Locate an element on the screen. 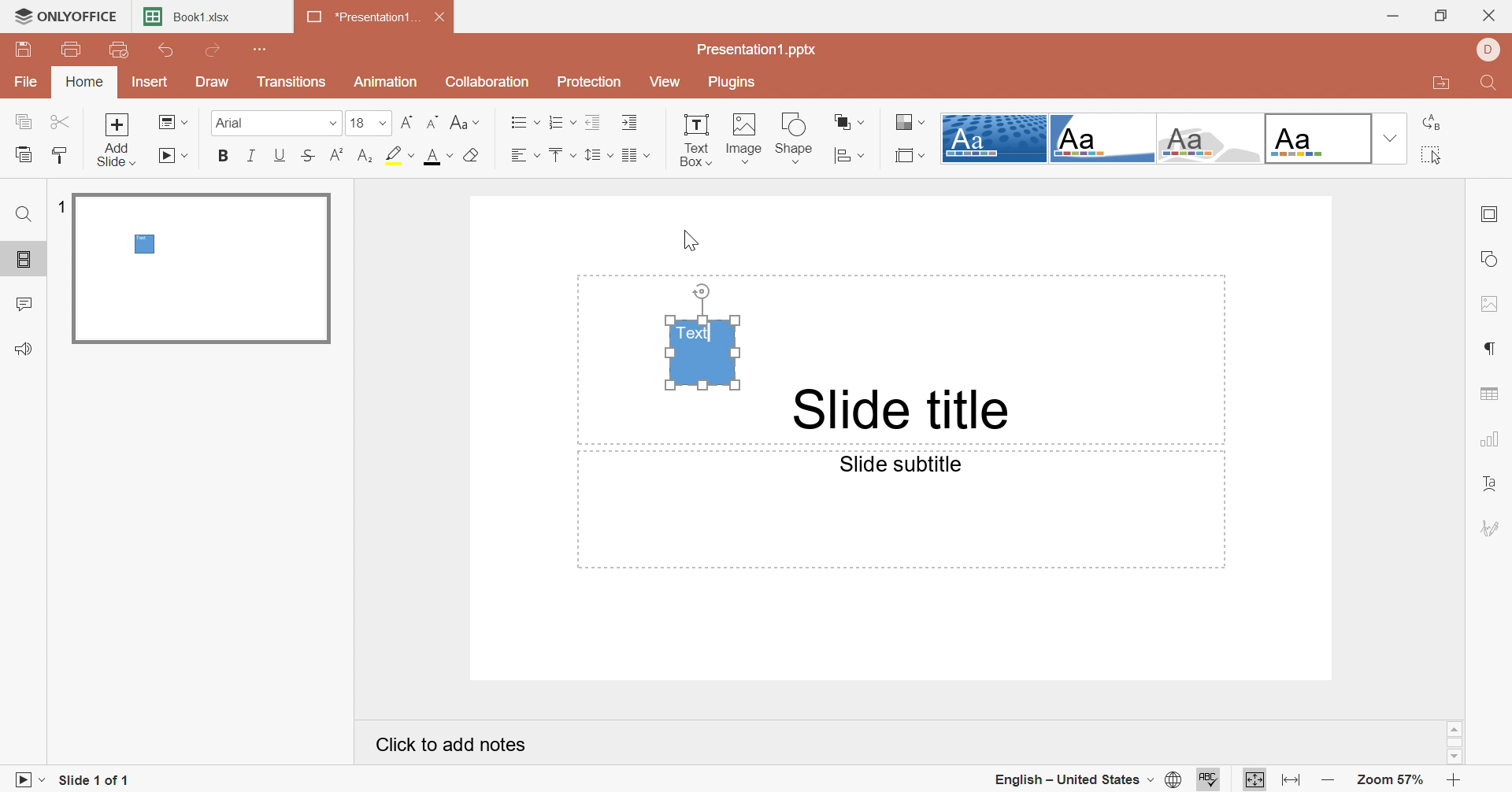 The image size is (1512, 792). Insert is located at coordinates (150, 86).